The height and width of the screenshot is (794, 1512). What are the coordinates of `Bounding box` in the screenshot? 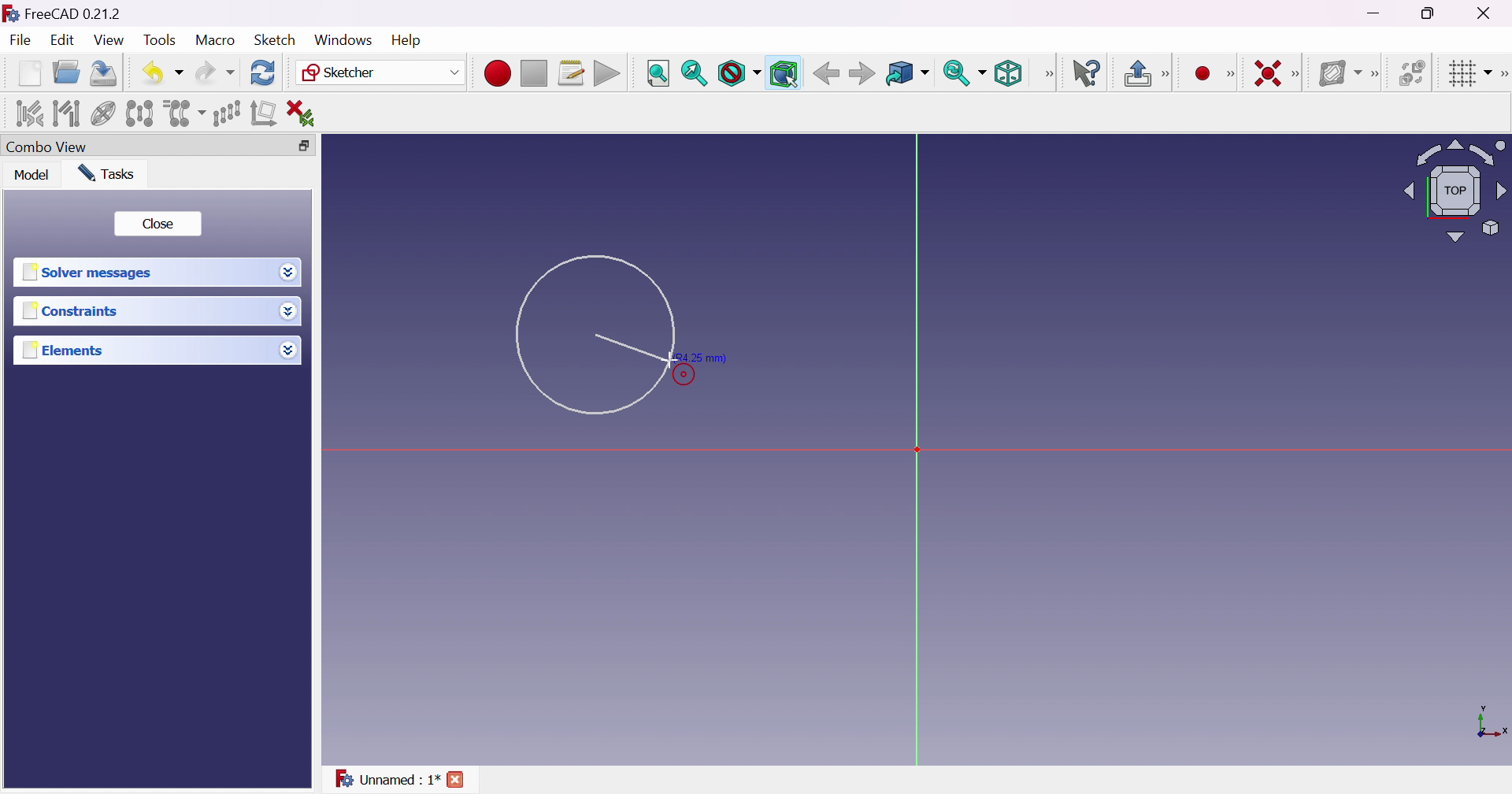 It's located at (784, 74).